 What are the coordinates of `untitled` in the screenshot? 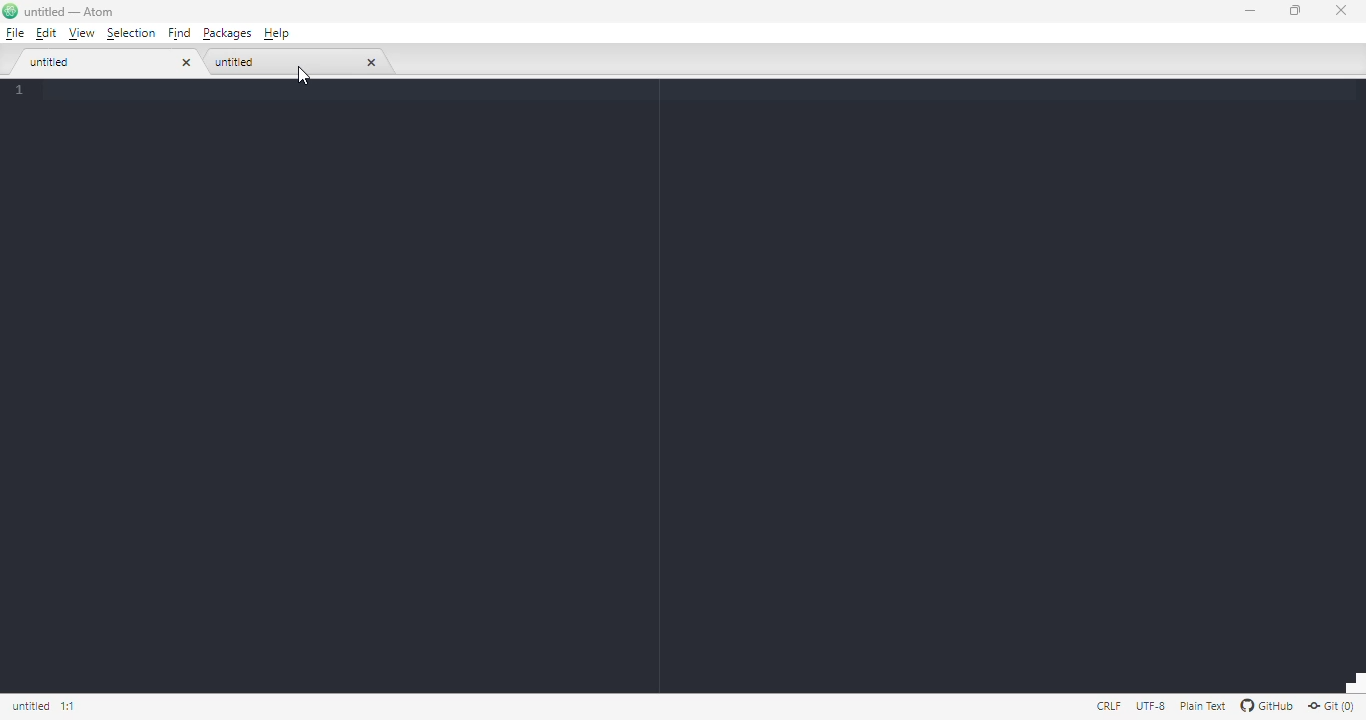 It's located at (235, 62).